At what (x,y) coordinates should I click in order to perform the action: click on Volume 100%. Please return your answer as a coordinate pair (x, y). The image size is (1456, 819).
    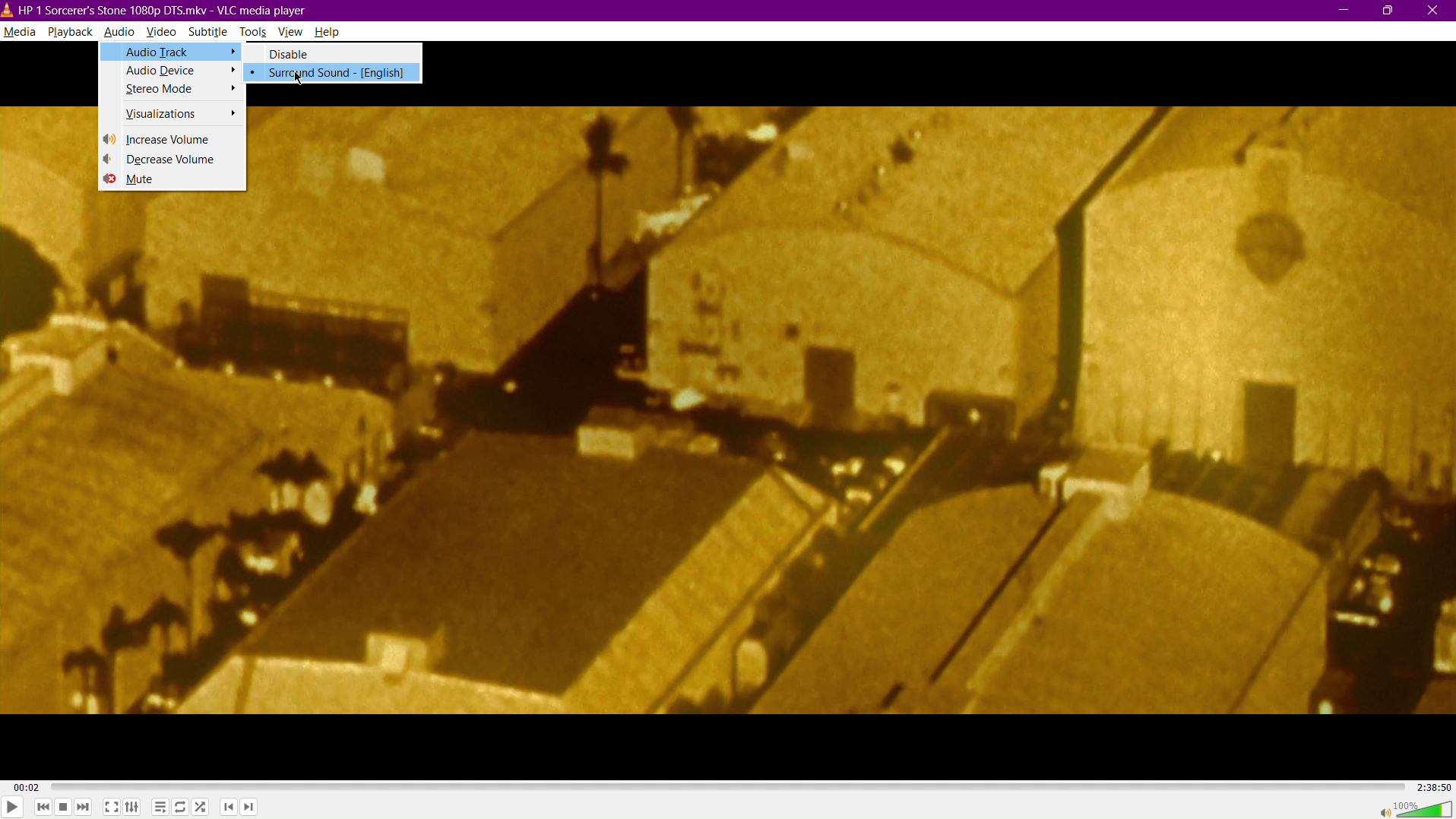
    Looking at the image, I should click on (1410, 808).